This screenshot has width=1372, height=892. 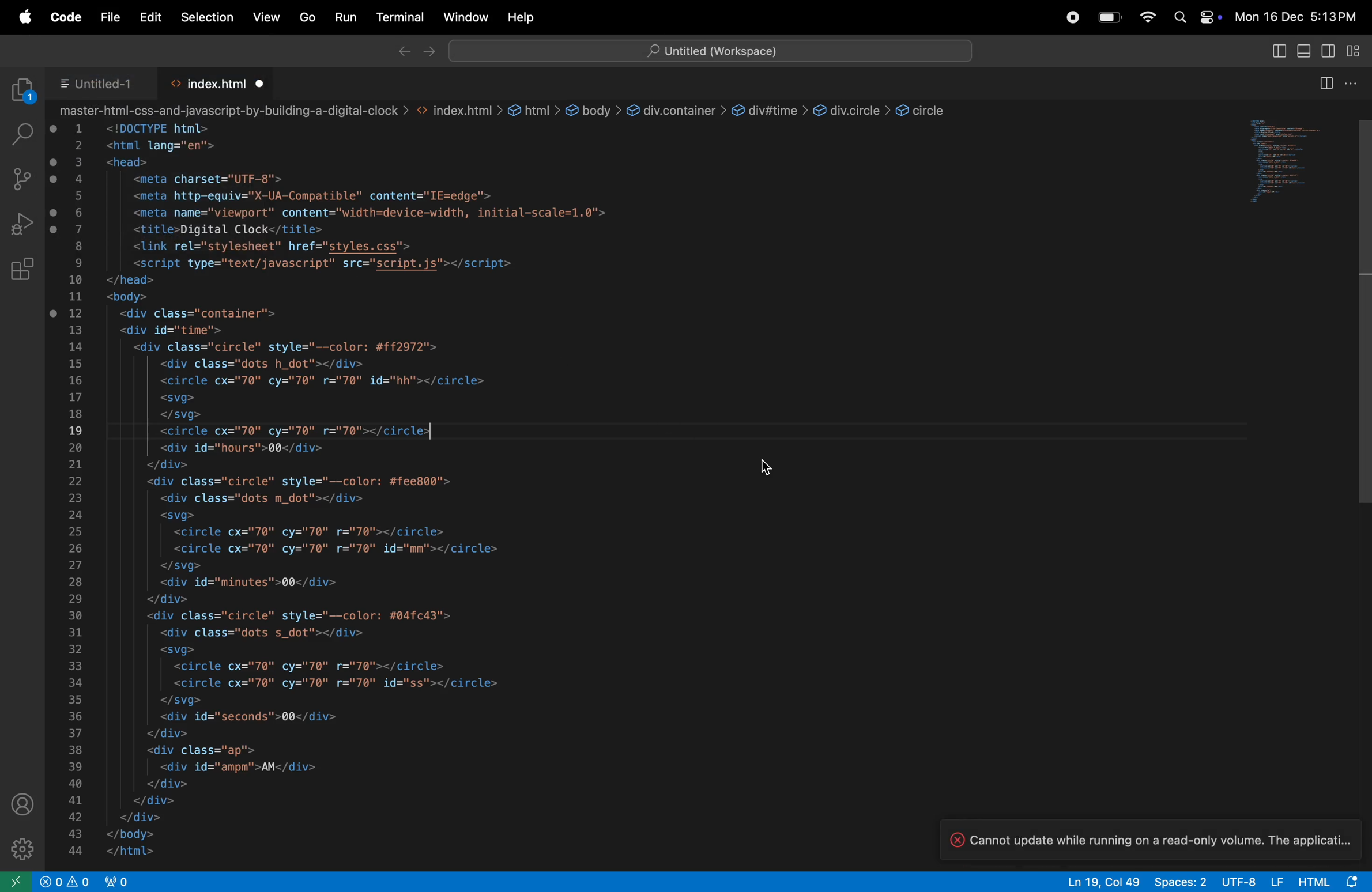 What do you see at coordinates (22, 271) in the screenshot?
I see `extensions` at bounding box center [22, 271].